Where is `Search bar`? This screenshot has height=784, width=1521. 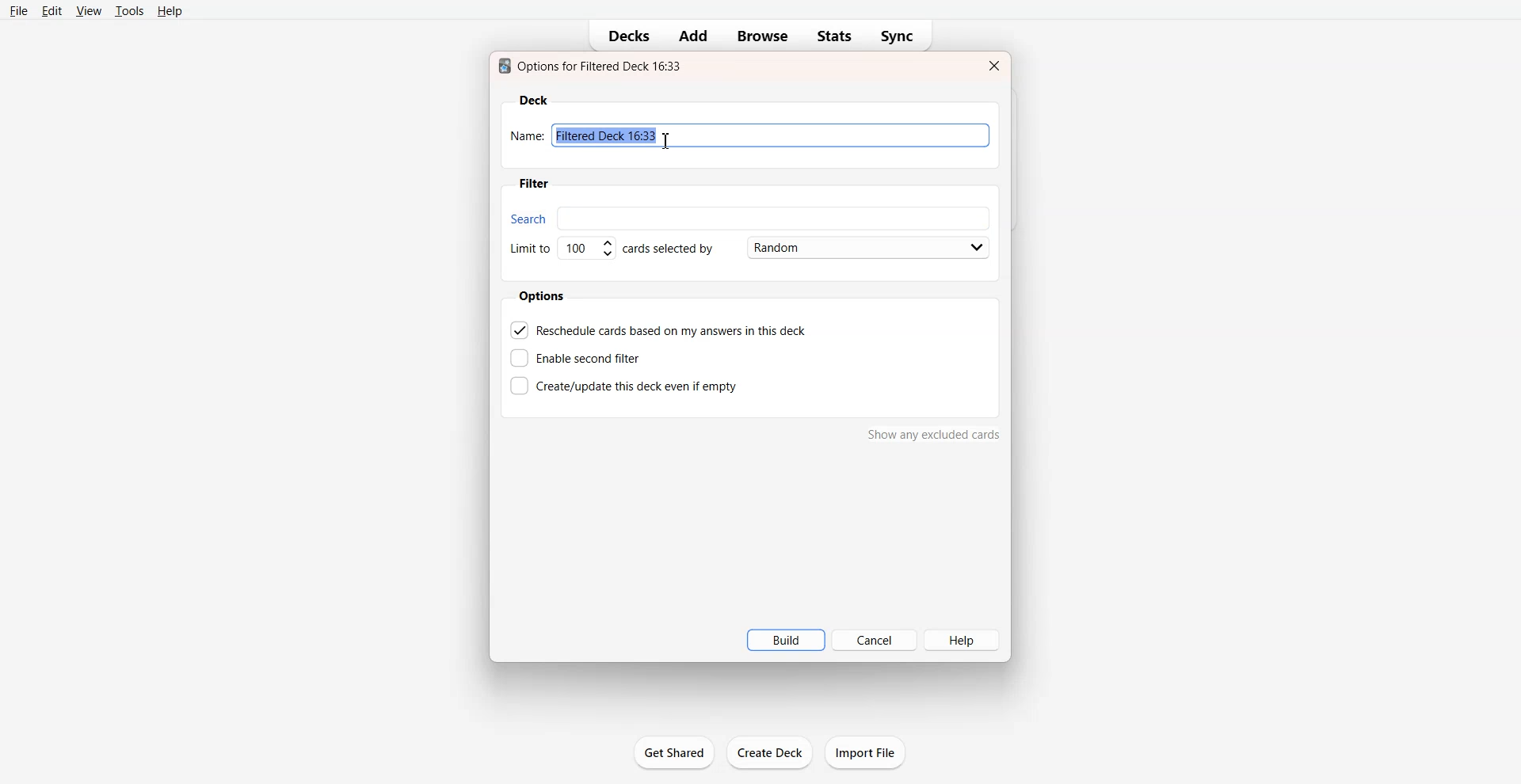
Search bar is located at coordinates (745, 216).